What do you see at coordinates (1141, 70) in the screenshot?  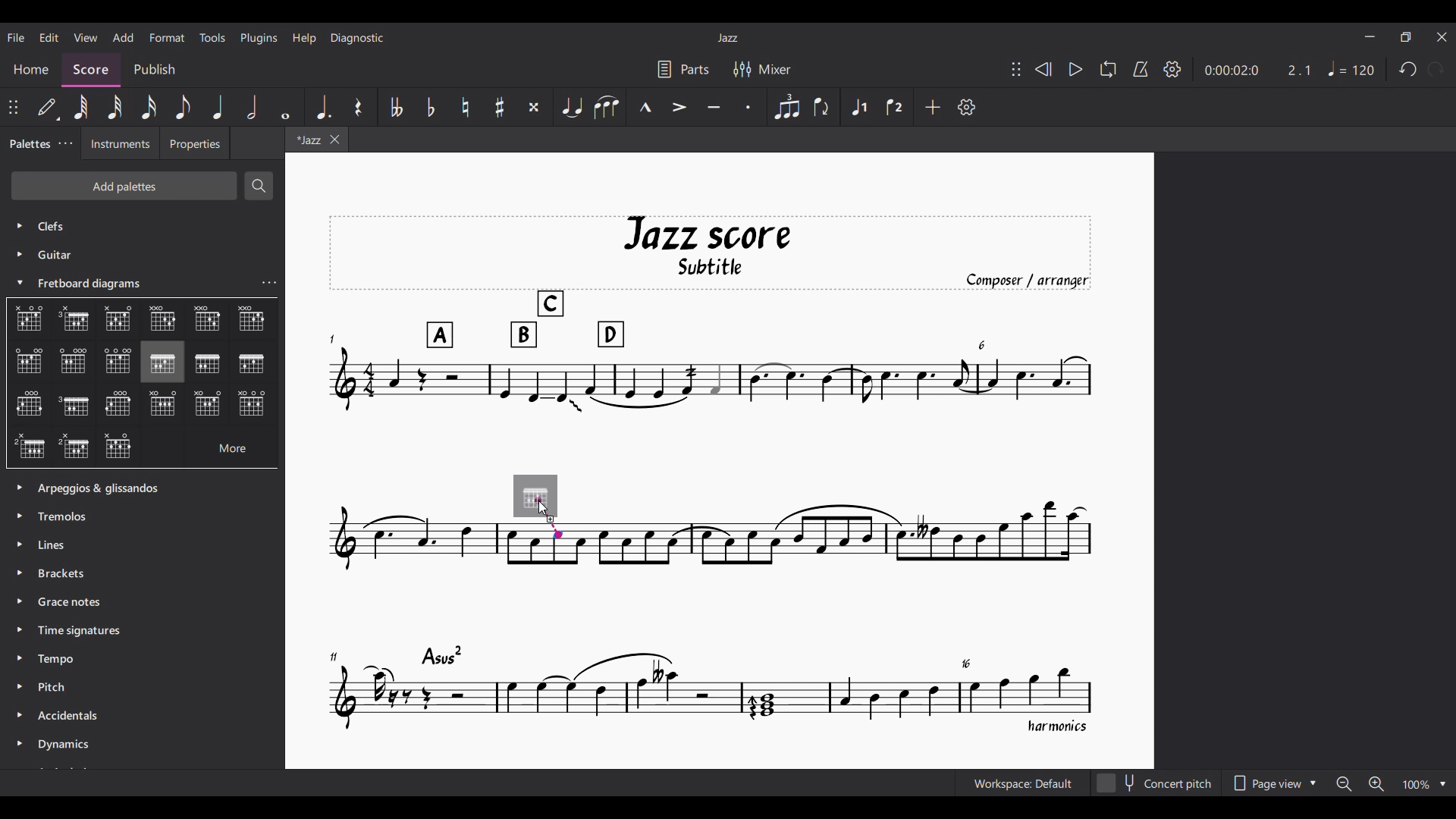 I see `Metronome` at bounding box center [1141, 70].